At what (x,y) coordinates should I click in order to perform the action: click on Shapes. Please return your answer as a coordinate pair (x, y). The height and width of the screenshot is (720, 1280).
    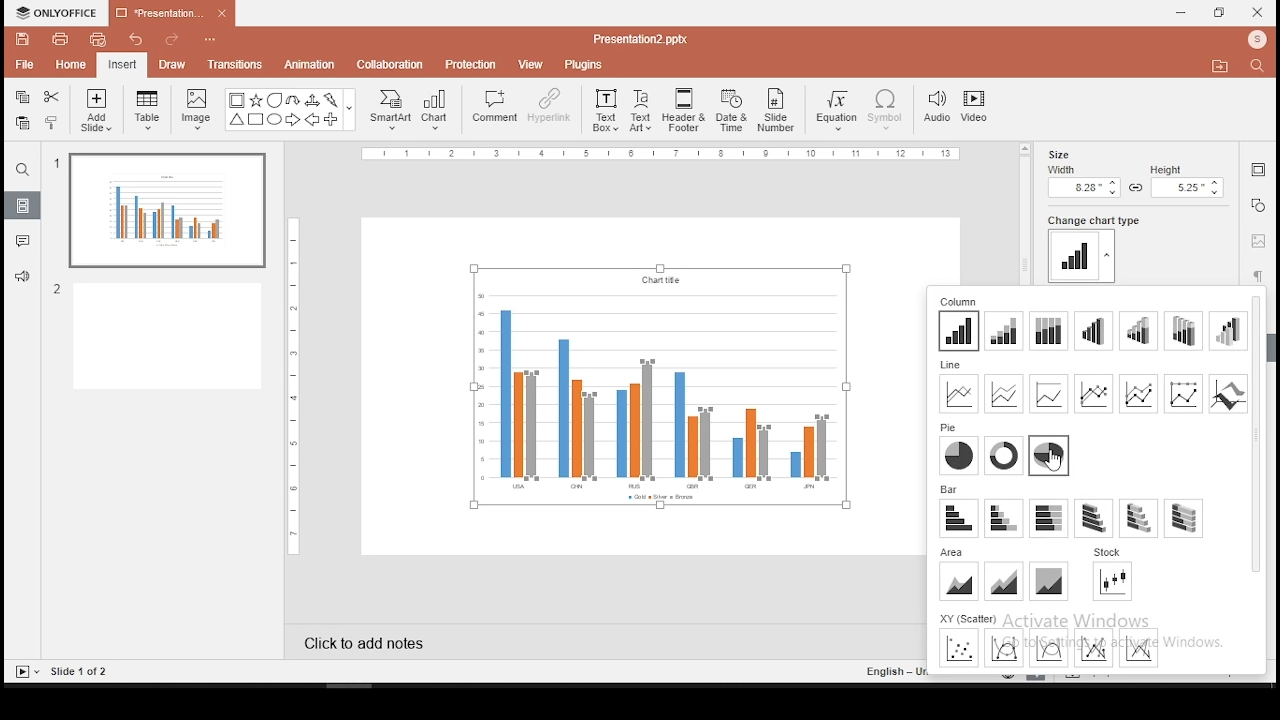
    Looking at the image, I should click on (287, 112).